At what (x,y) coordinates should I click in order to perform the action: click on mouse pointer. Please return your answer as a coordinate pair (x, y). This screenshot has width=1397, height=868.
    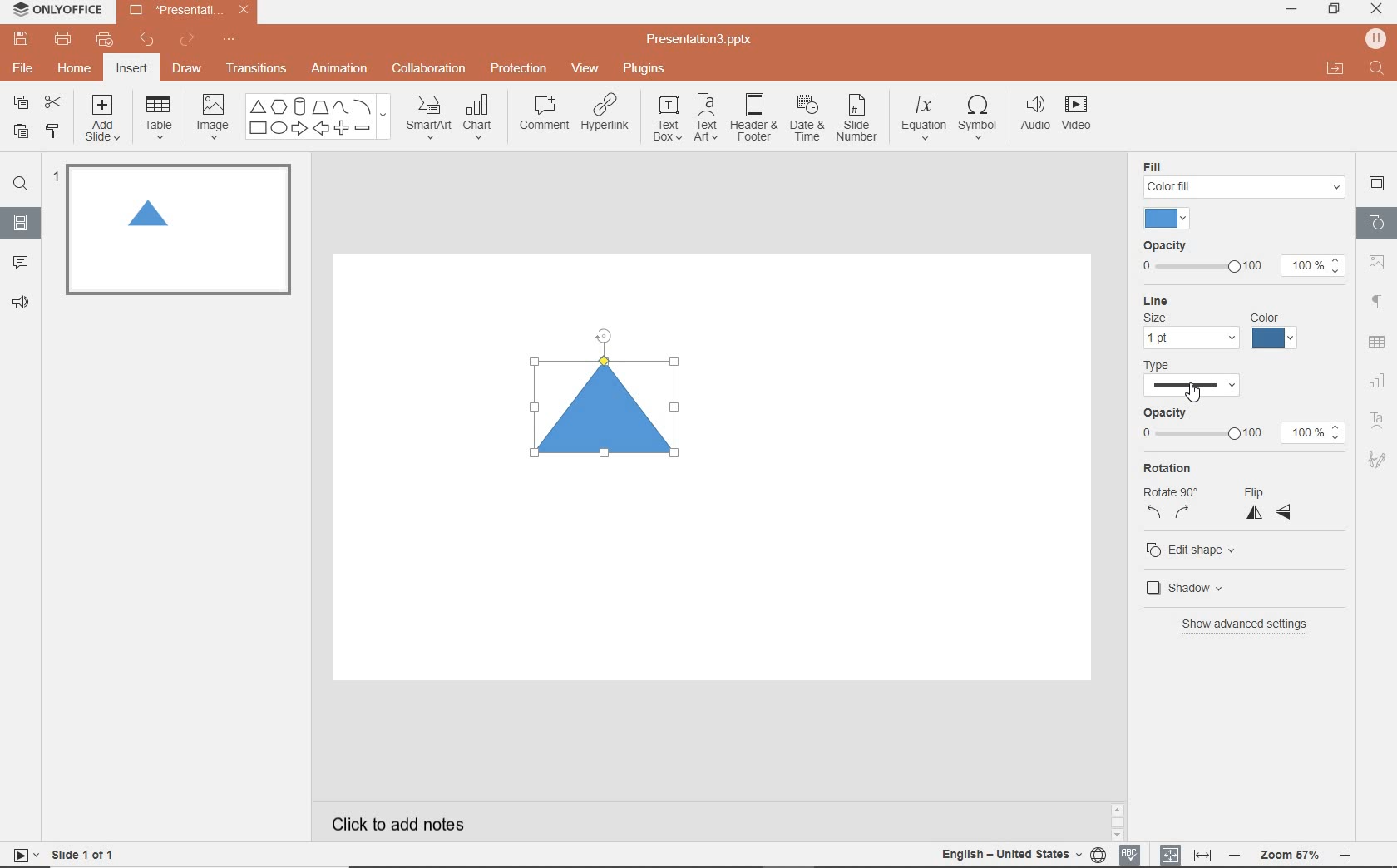
    Looking at the image, I should click on (1193, 394).